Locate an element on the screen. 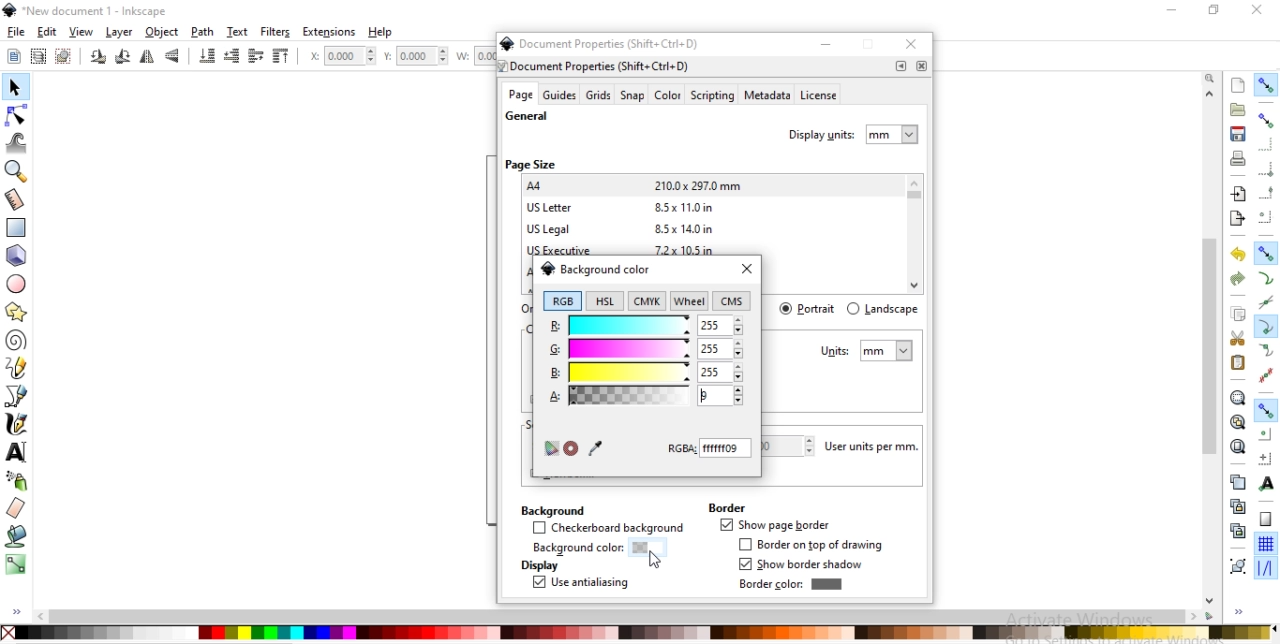 The image size is (1280, 644). background color is located at coordinates (595, 268).